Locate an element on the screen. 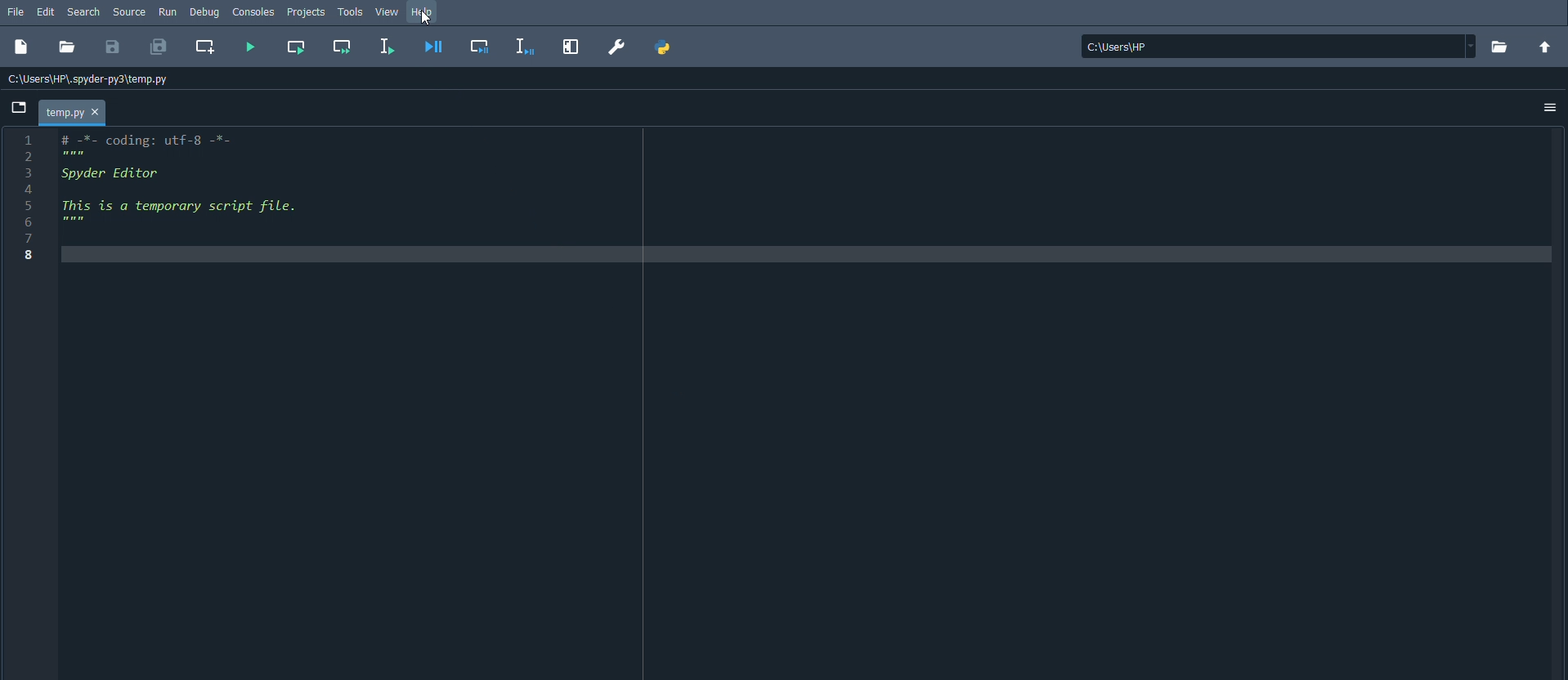 This screenshot has width=1568, height=680. View is located at coordinates (390, 14).